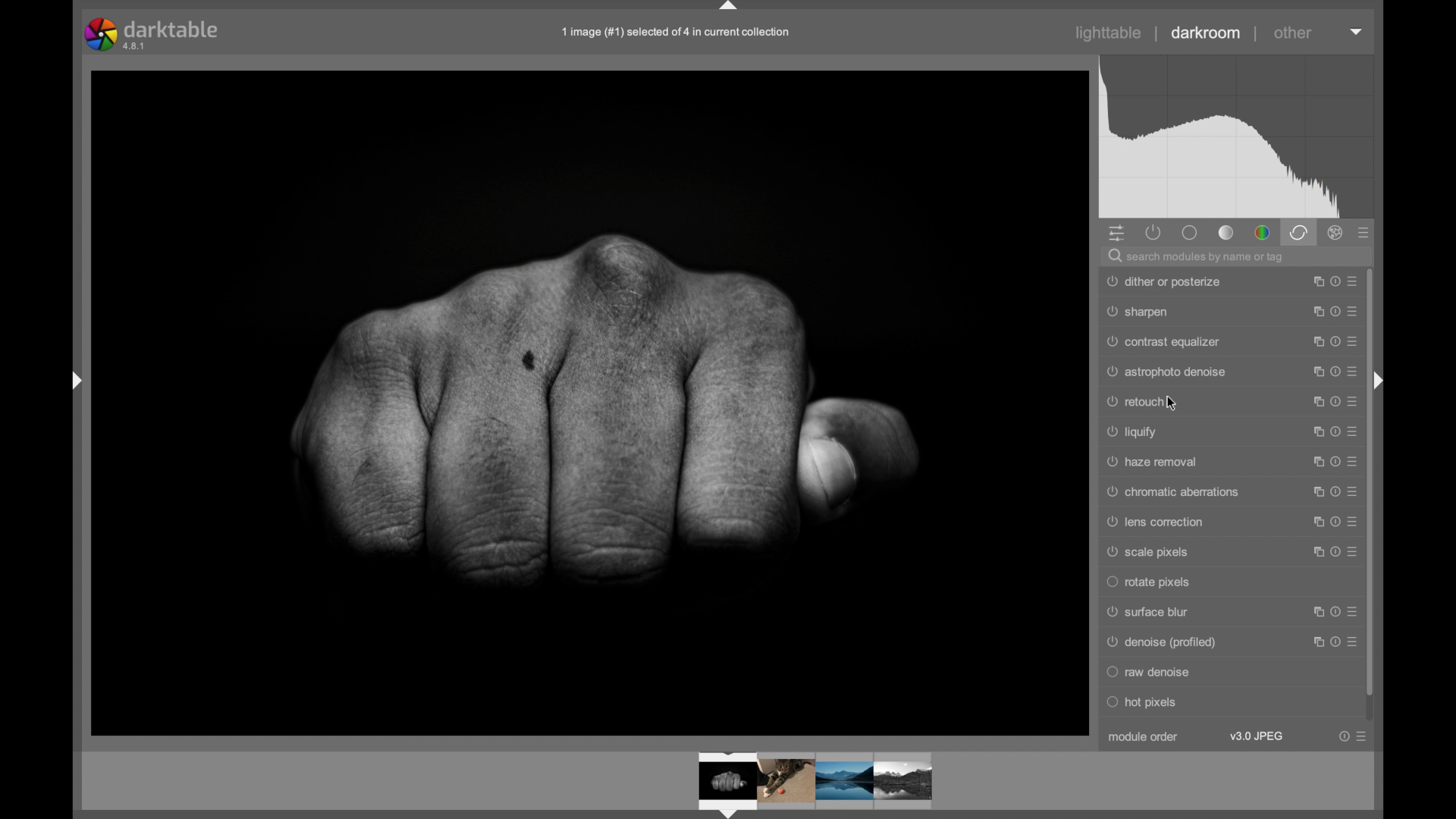  I want to click on astrophoto denoise, so click(1168, 372).